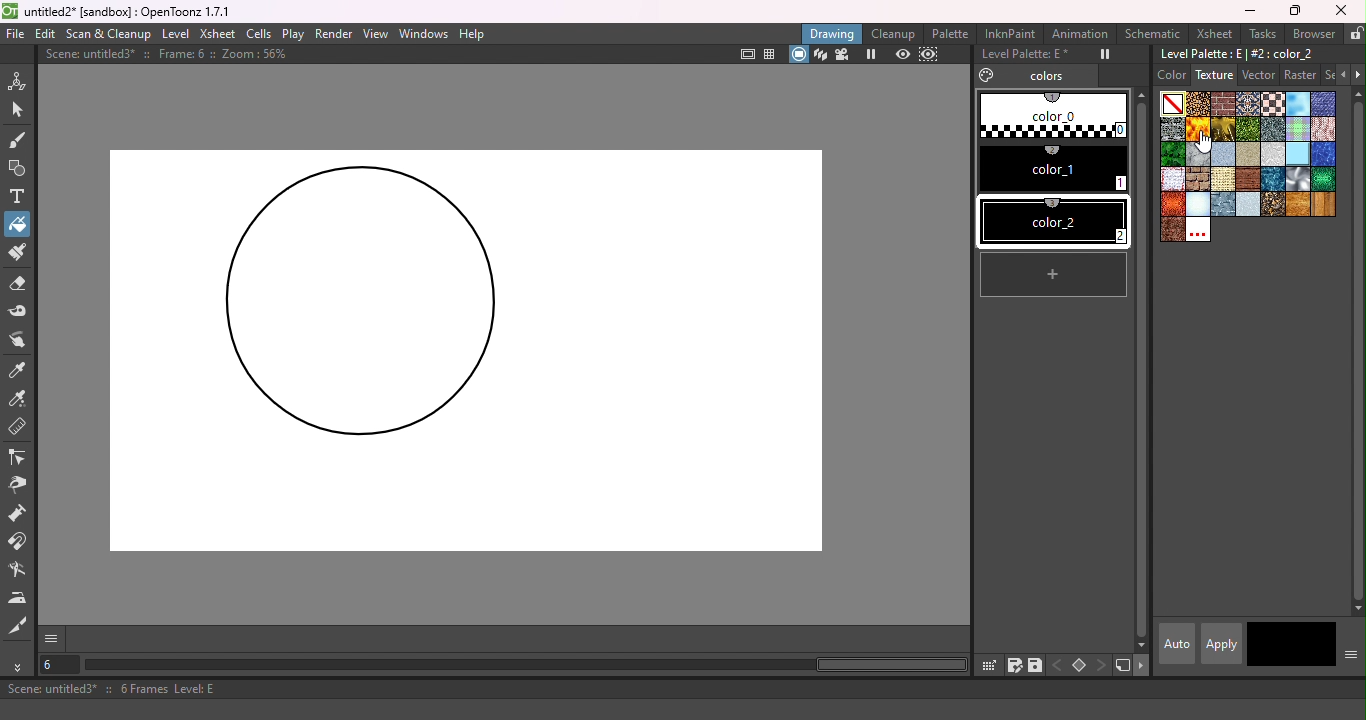  Describe the element at coordinates (1199, 180) in the screenshot. I see `roughbrickwork.bmp` at that location.